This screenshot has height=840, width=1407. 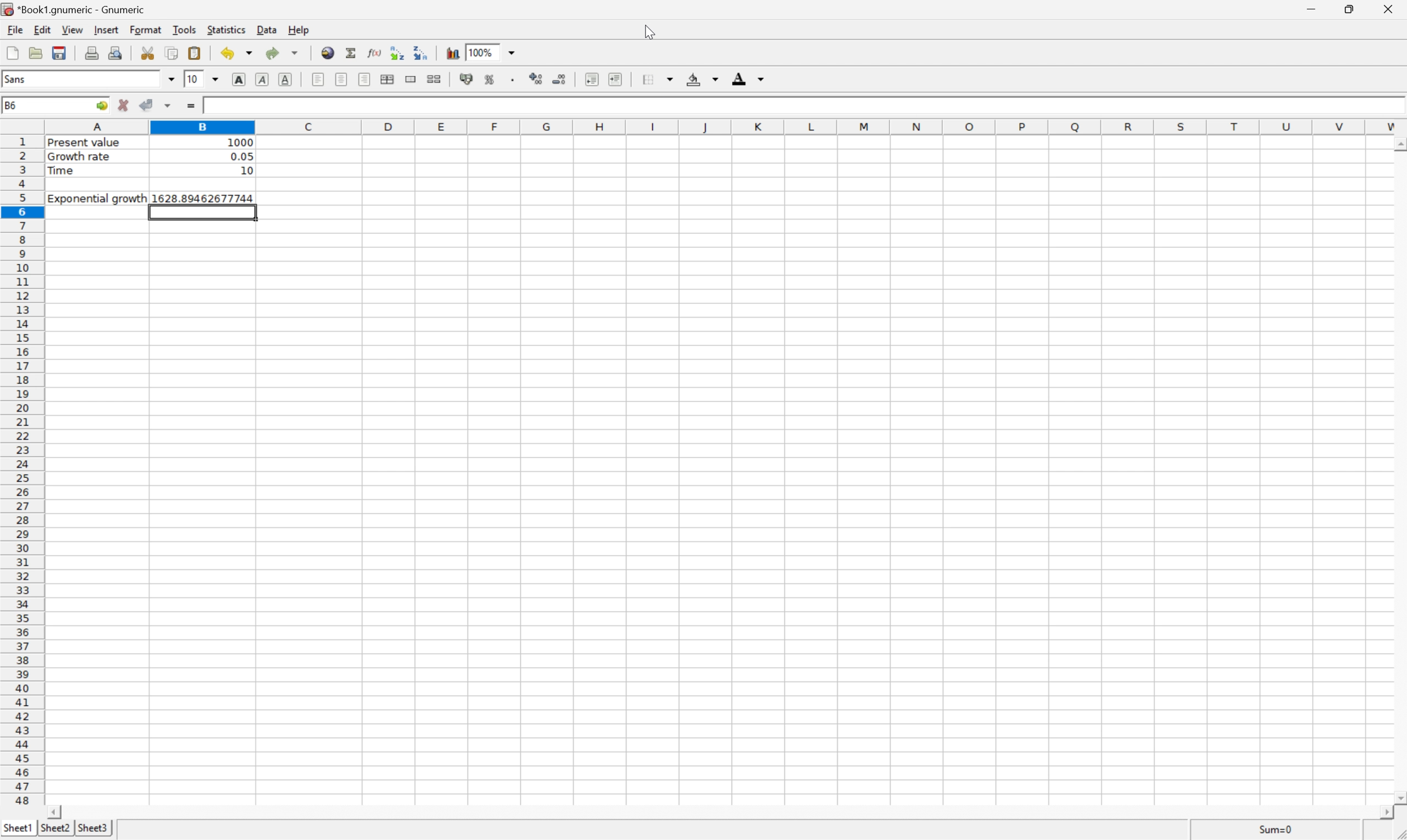 What do you see at coordinates (617, 79) in the screenshot?
I see `Increase indent, and align the contents to the left` at bounding box center [617, 79].